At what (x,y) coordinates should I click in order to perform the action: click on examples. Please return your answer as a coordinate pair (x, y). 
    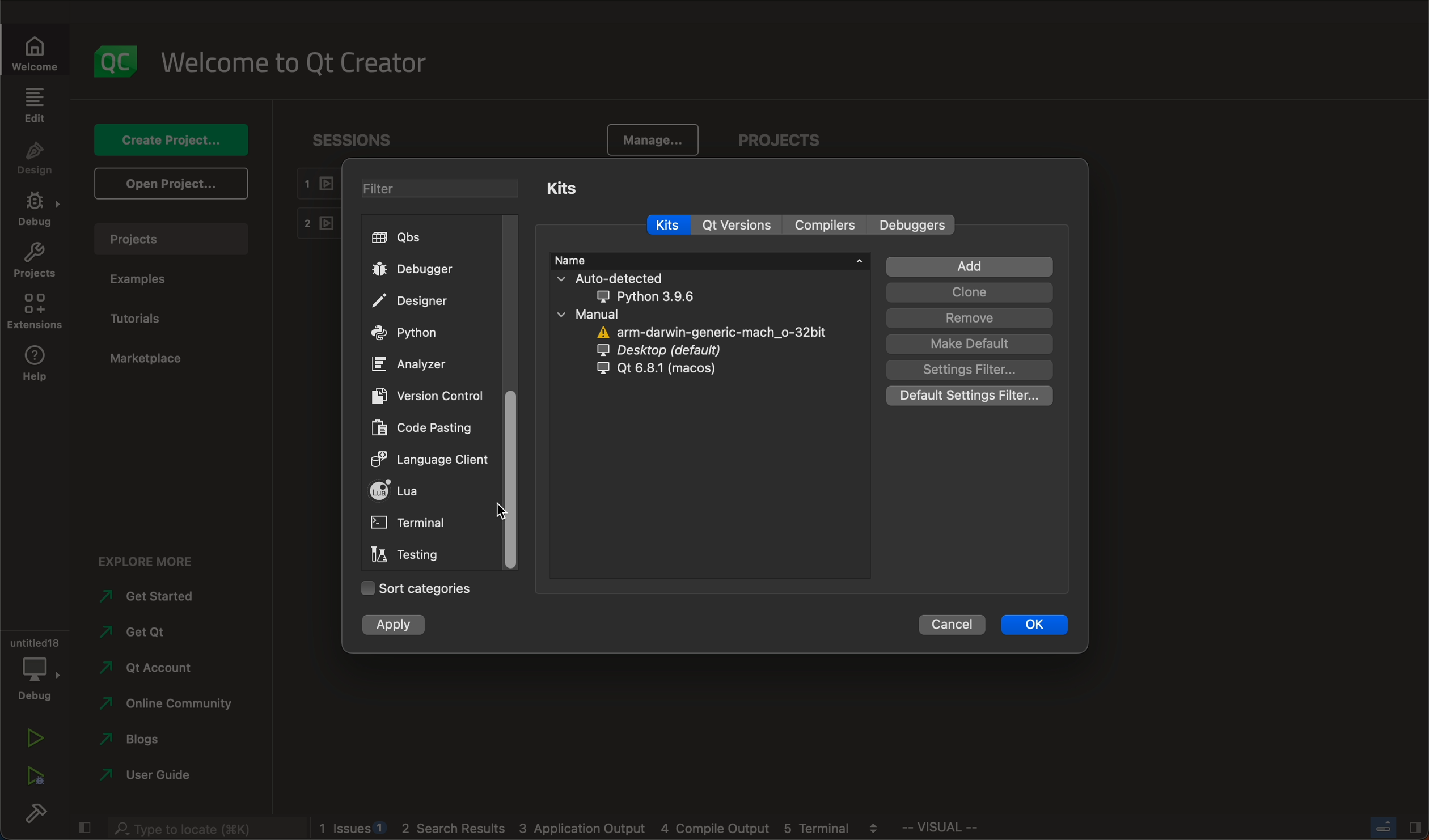
    Looking at the image, I should click on (150, 279).